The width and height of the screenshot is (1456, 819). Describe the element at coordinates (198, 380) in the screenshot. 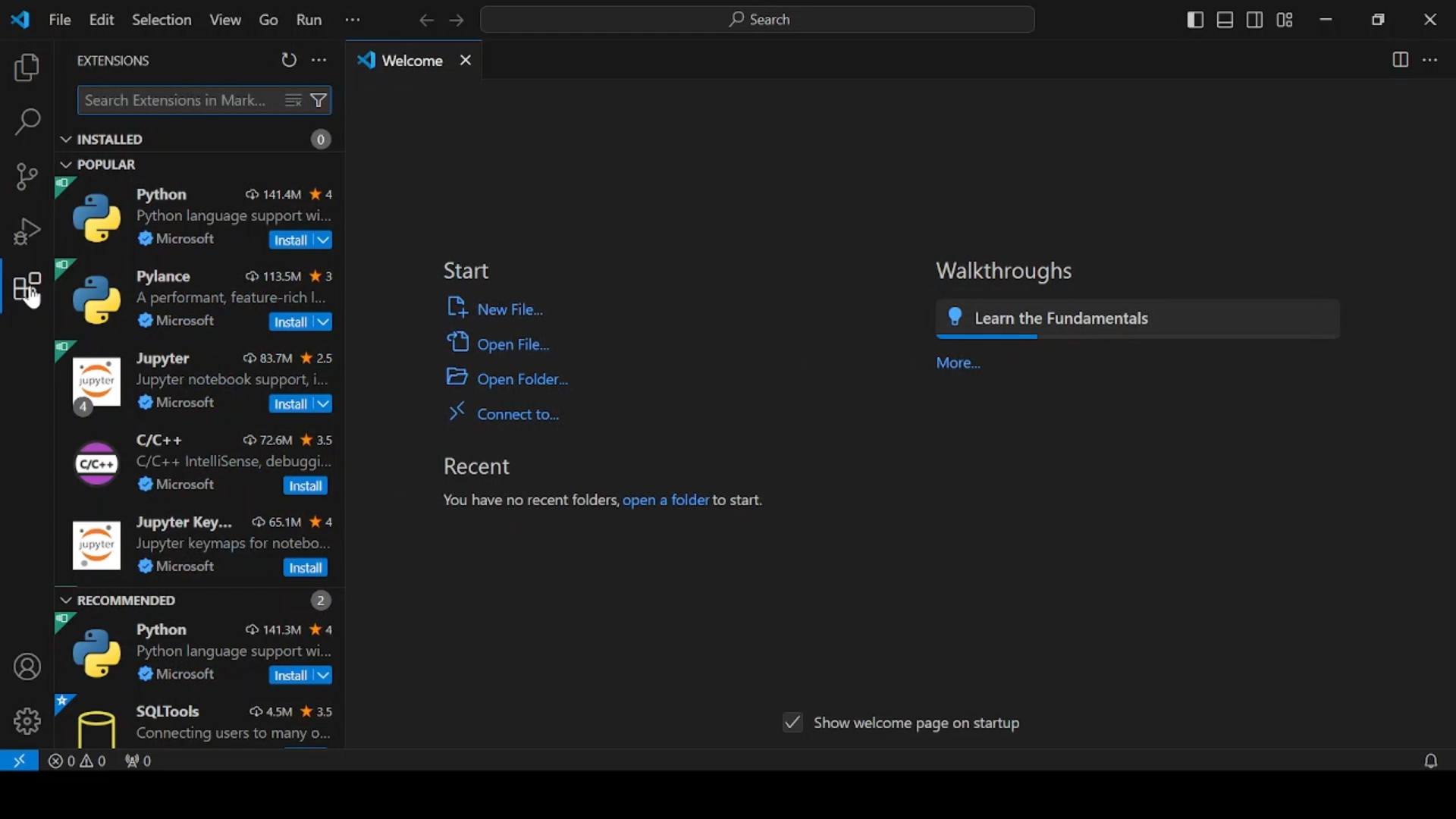

I see `Jupyter notebook` at that location.